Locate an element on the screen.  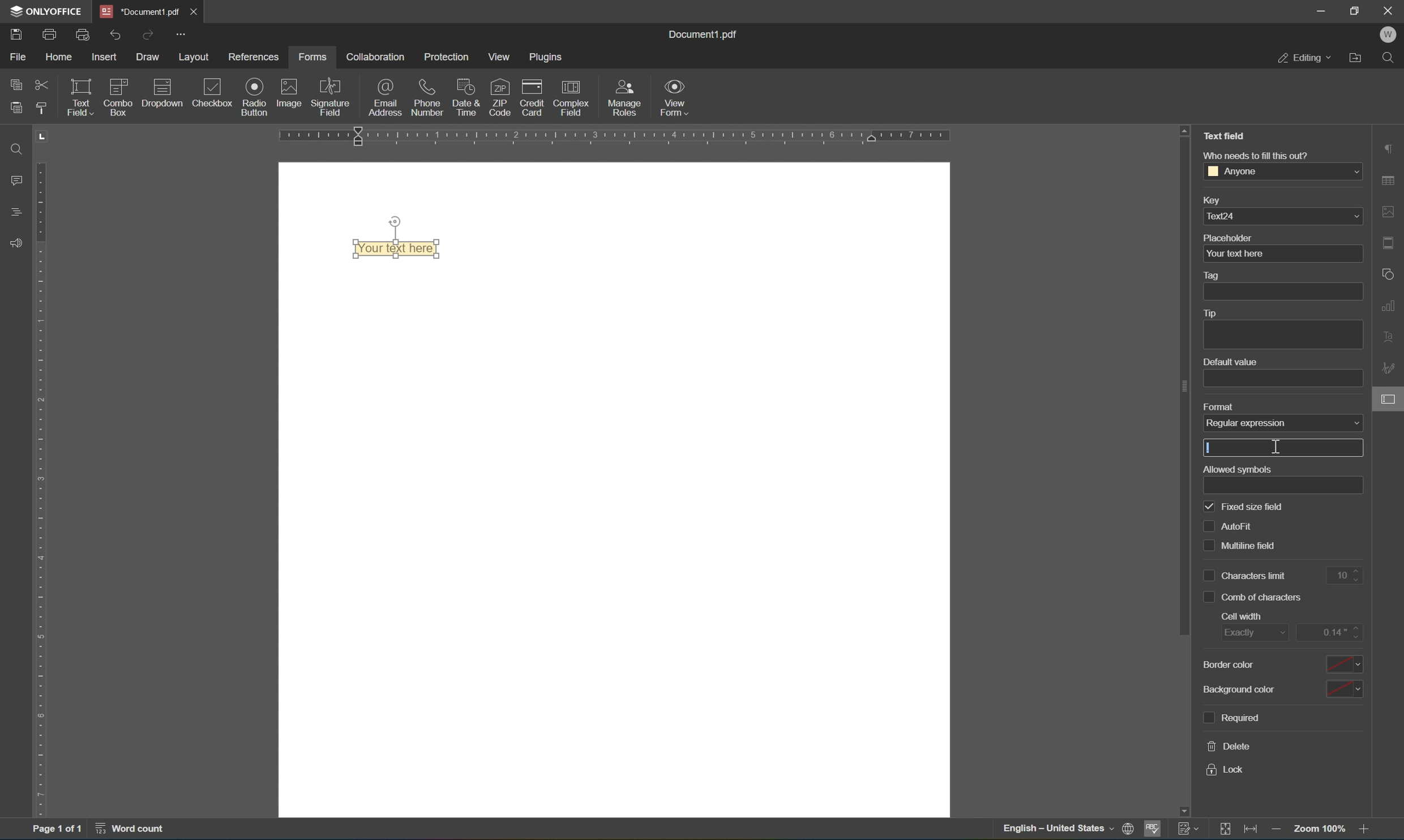
view form is located at coordinates (675, 97).